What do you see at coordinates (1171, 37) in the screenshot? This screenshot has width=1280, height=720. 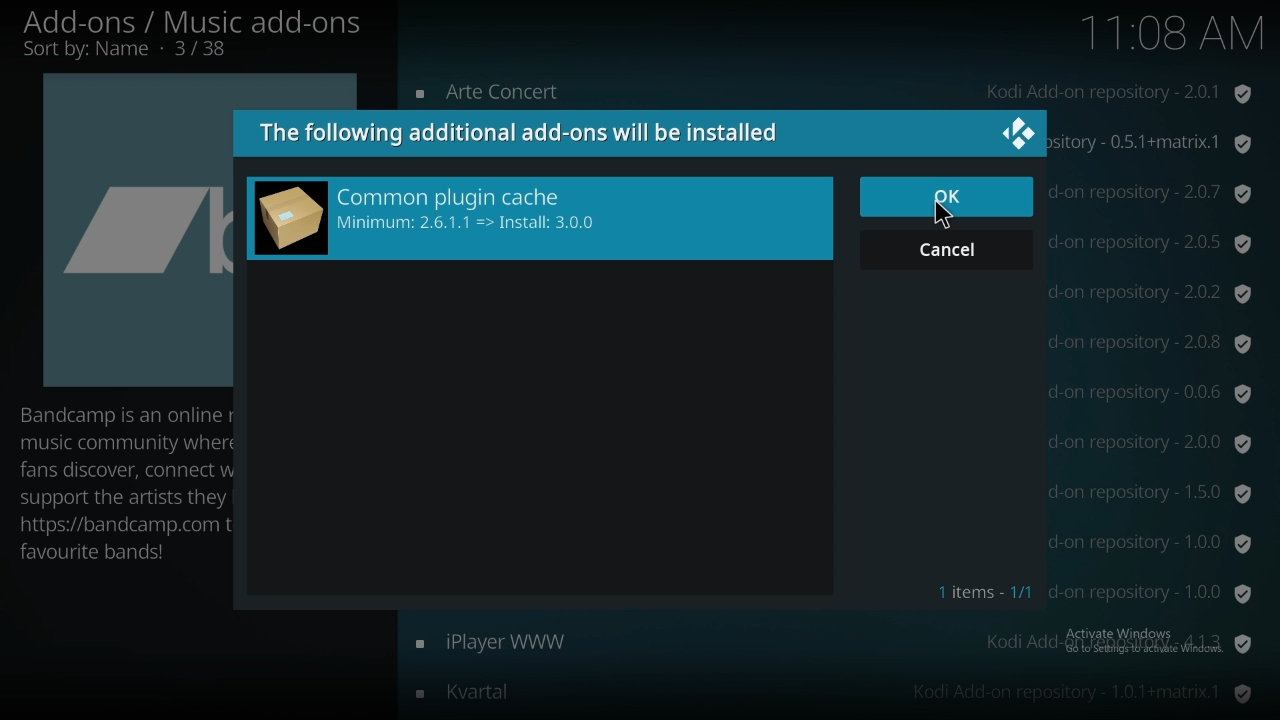 I see `time` at bounding box center [1171, 37].